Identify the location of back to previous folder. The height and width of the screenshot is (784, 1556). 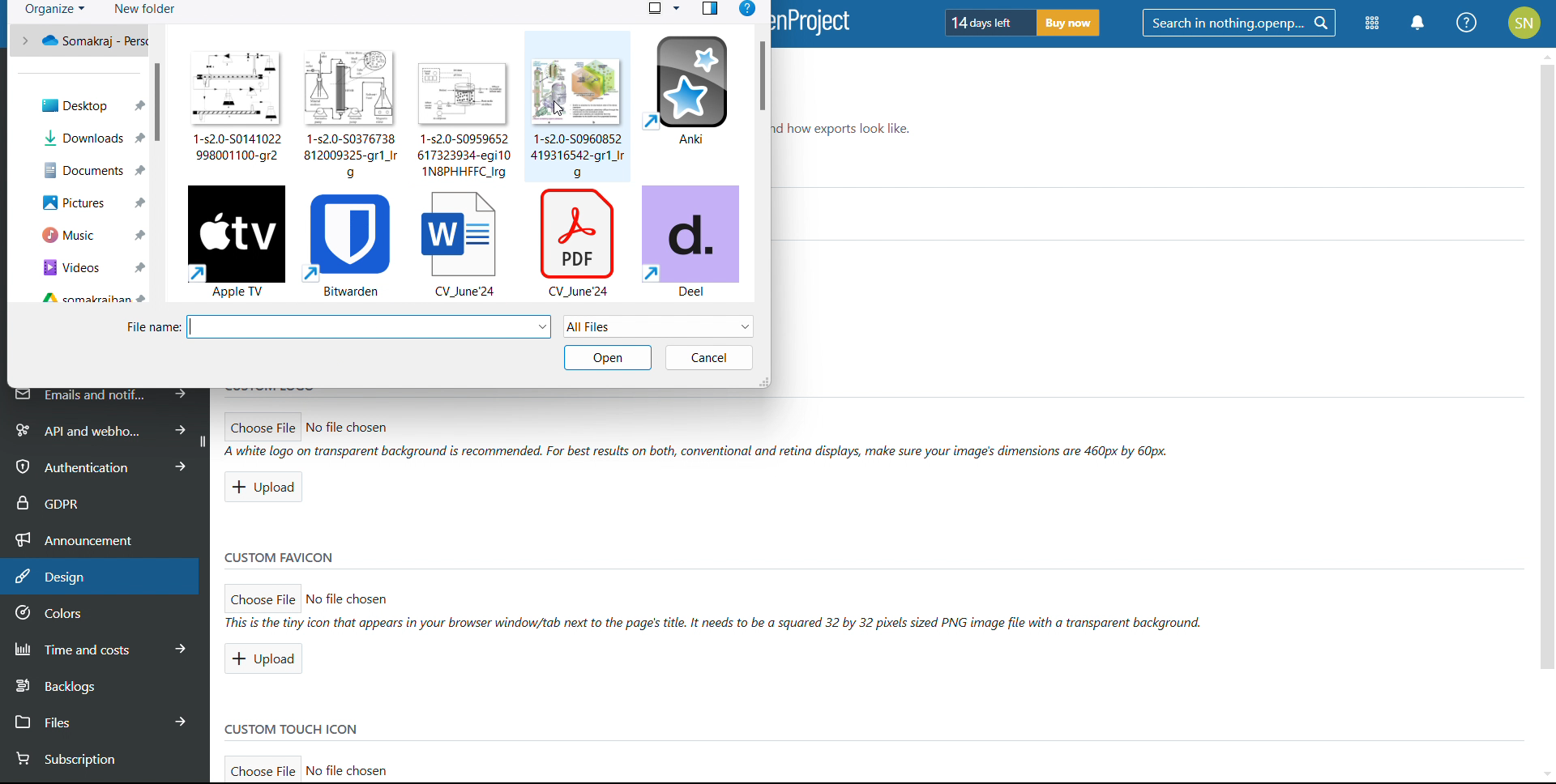
(23, 43).